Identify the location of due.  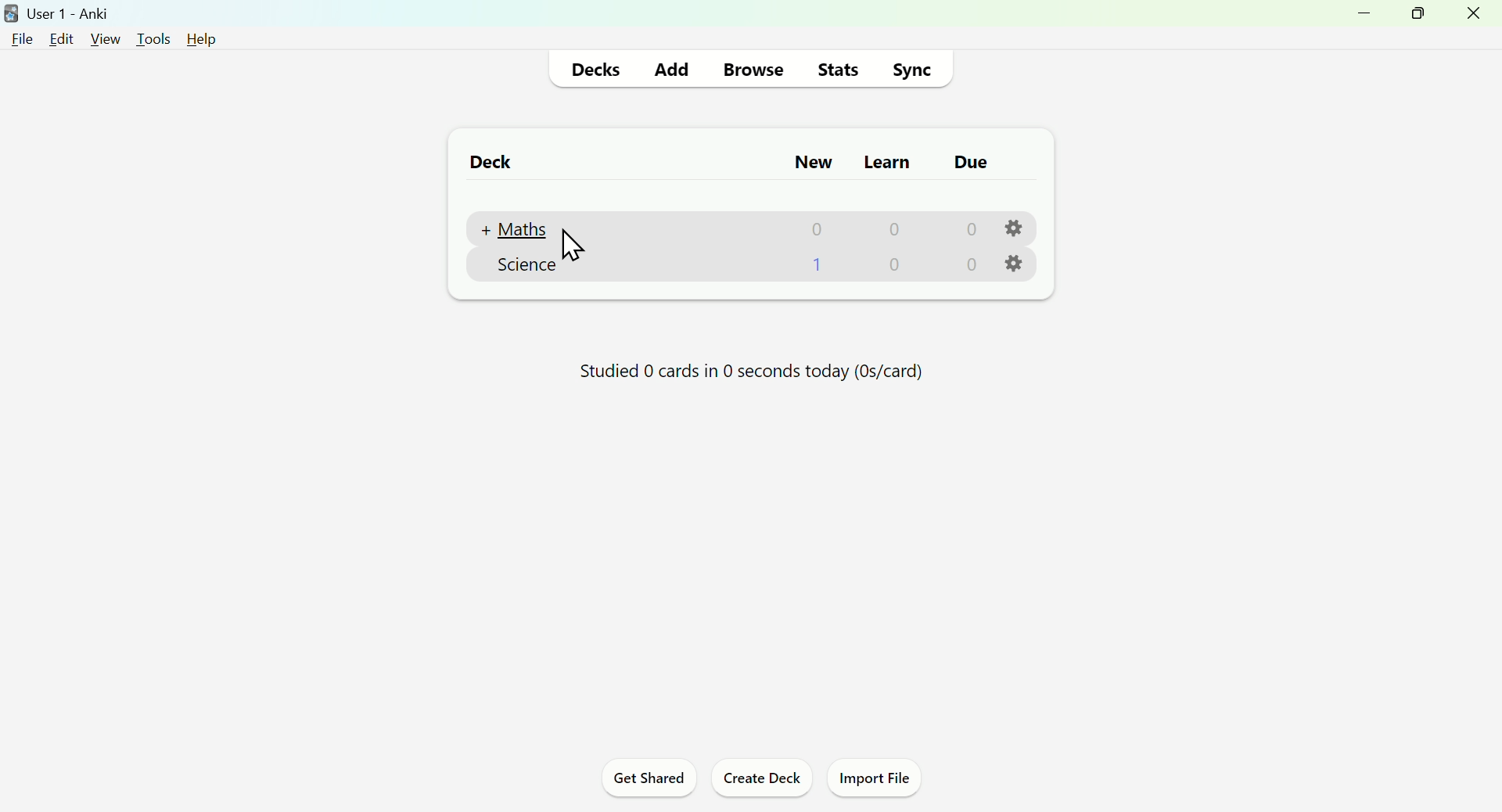
(972, 163).